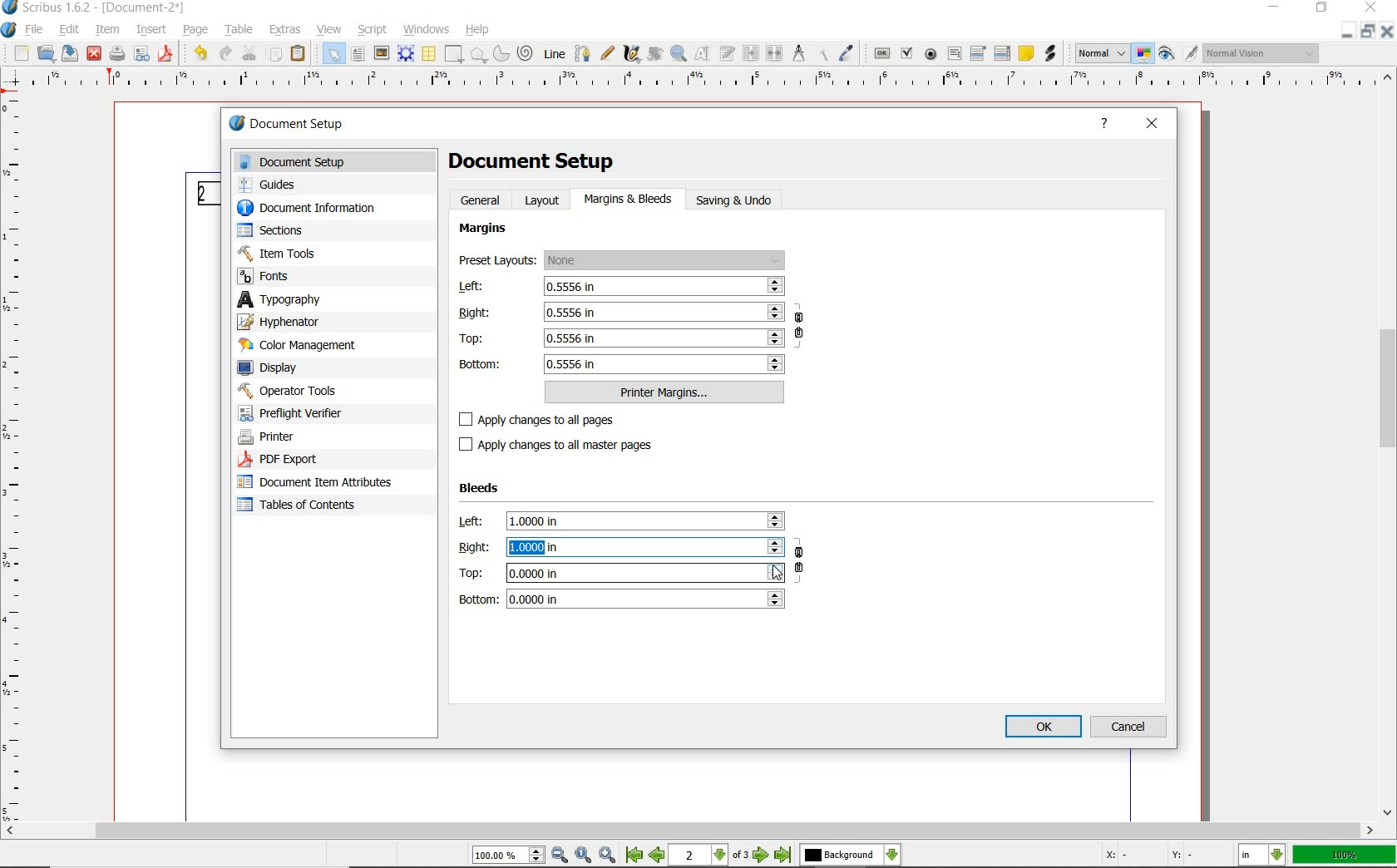 The height and width of the screenshot is (868, 1397). I want to click on text annotation, so click(1026, 54).